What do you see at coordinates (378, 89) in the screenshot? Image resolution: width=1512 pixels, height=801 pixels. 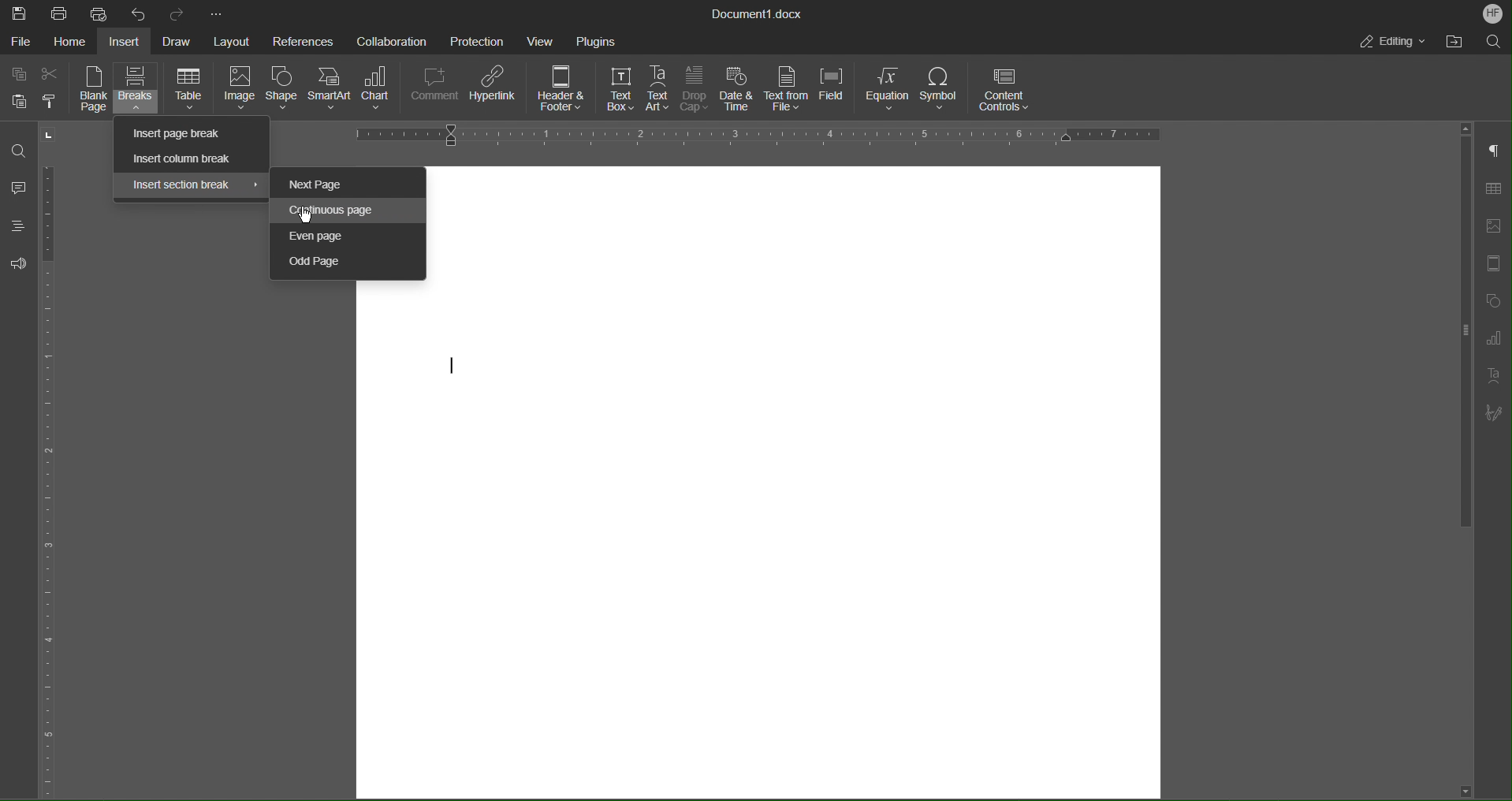 I see `Chart` at bounding box center [378, 89].